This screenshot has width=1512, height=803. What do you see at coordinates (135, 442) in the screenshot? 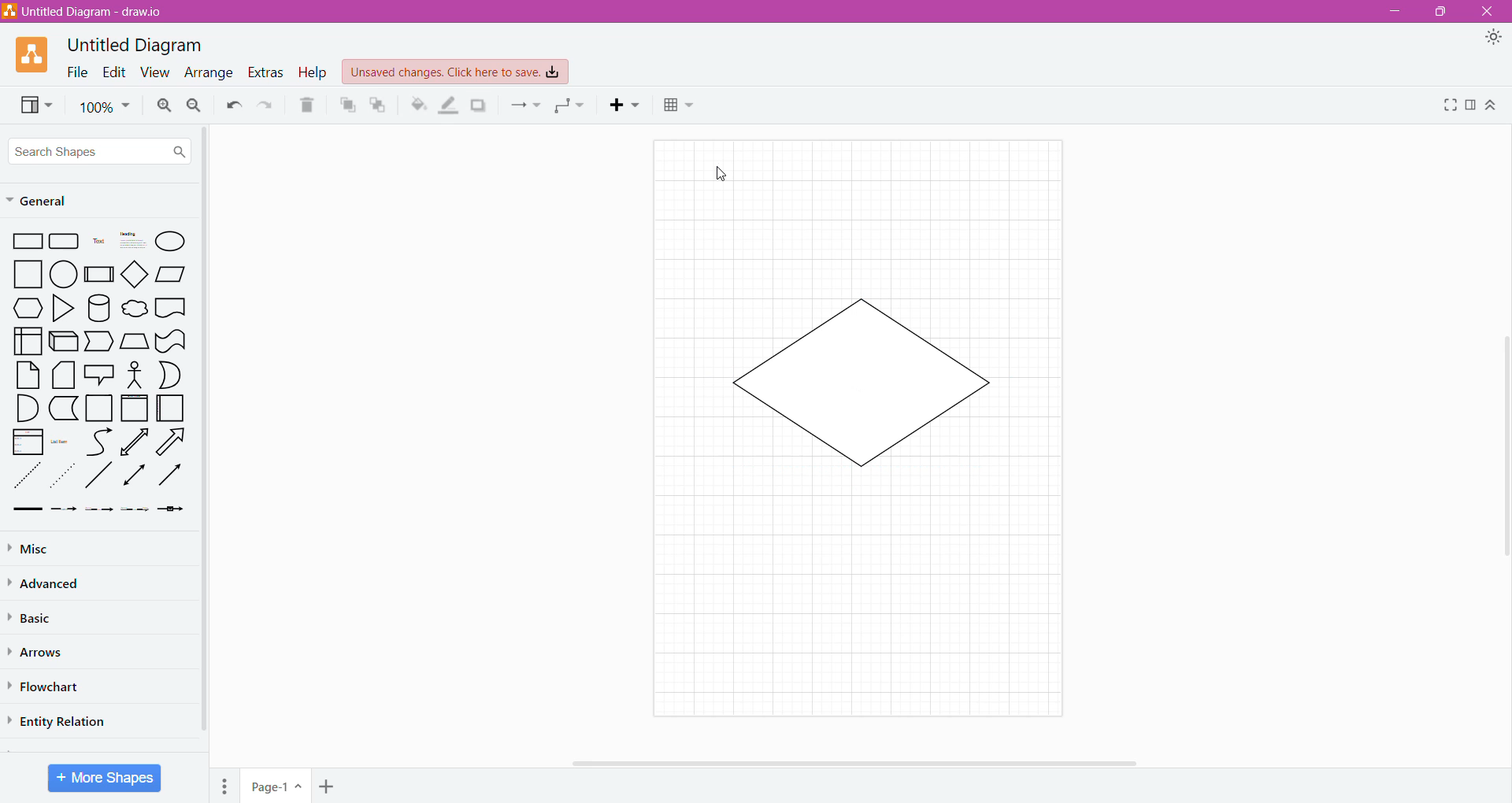
I see `Bidirectional Arrow` at bounding box center [135, 442].